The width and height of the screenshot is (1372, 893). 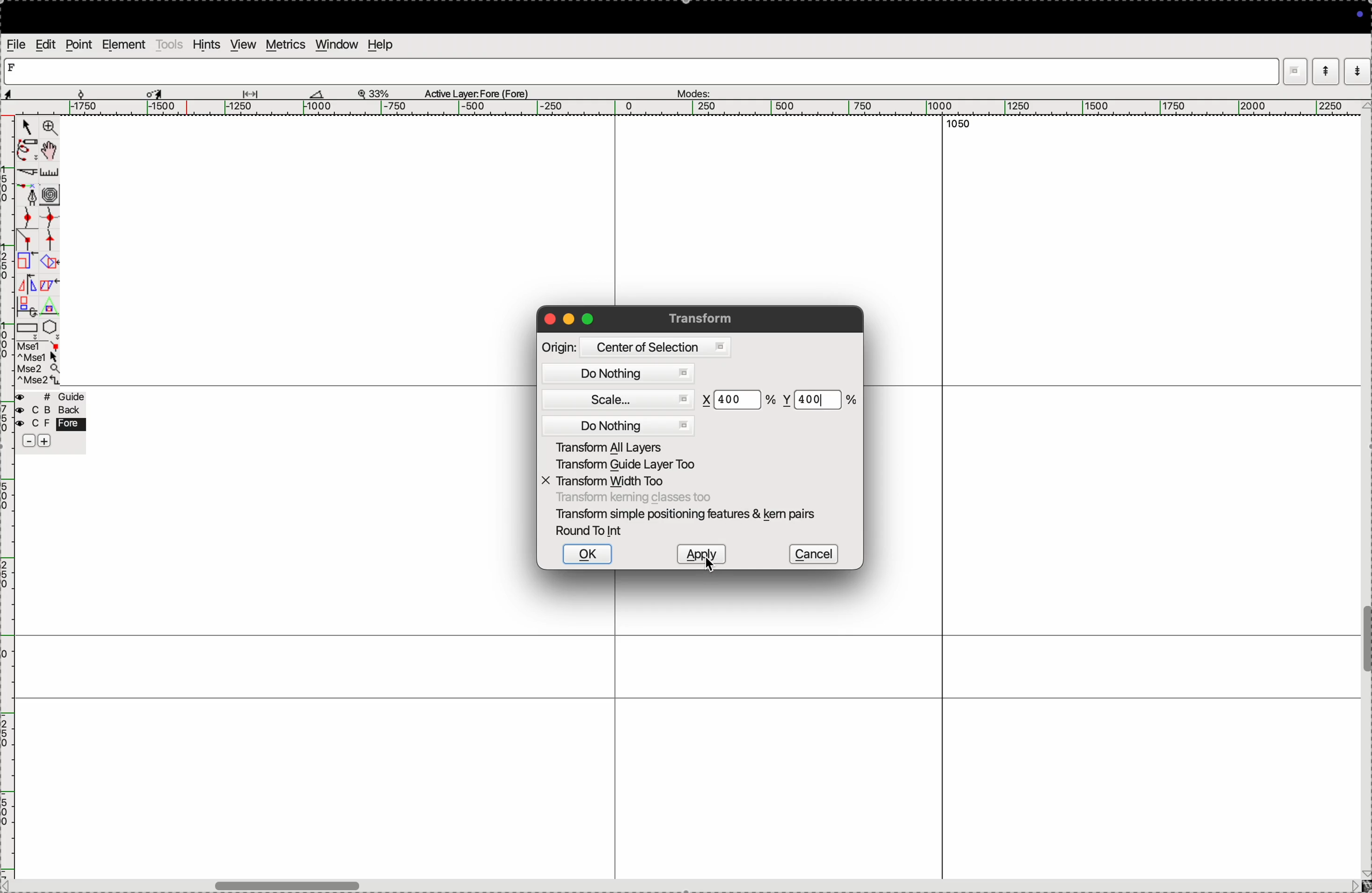 I want to click on mirror, so click(x=37, y=286).